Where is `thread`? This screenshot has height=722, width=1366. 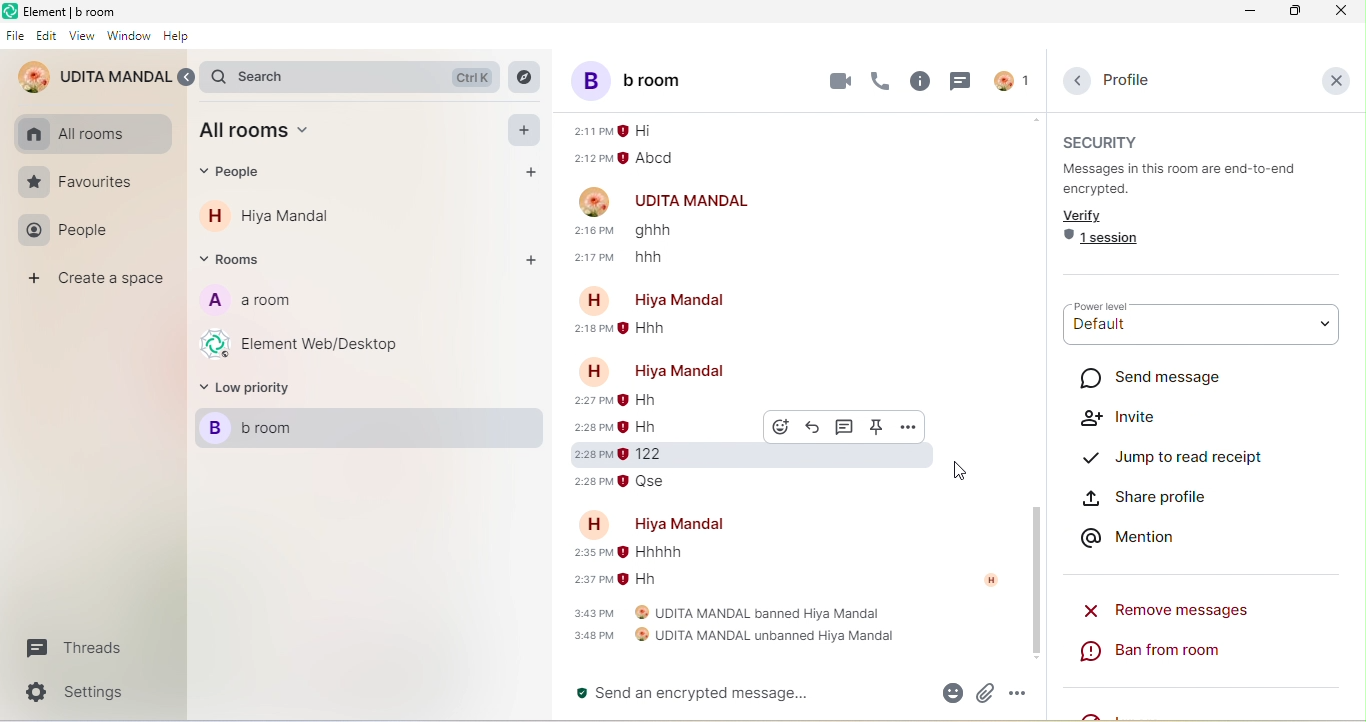
thread is located at coordinates (843, 427).